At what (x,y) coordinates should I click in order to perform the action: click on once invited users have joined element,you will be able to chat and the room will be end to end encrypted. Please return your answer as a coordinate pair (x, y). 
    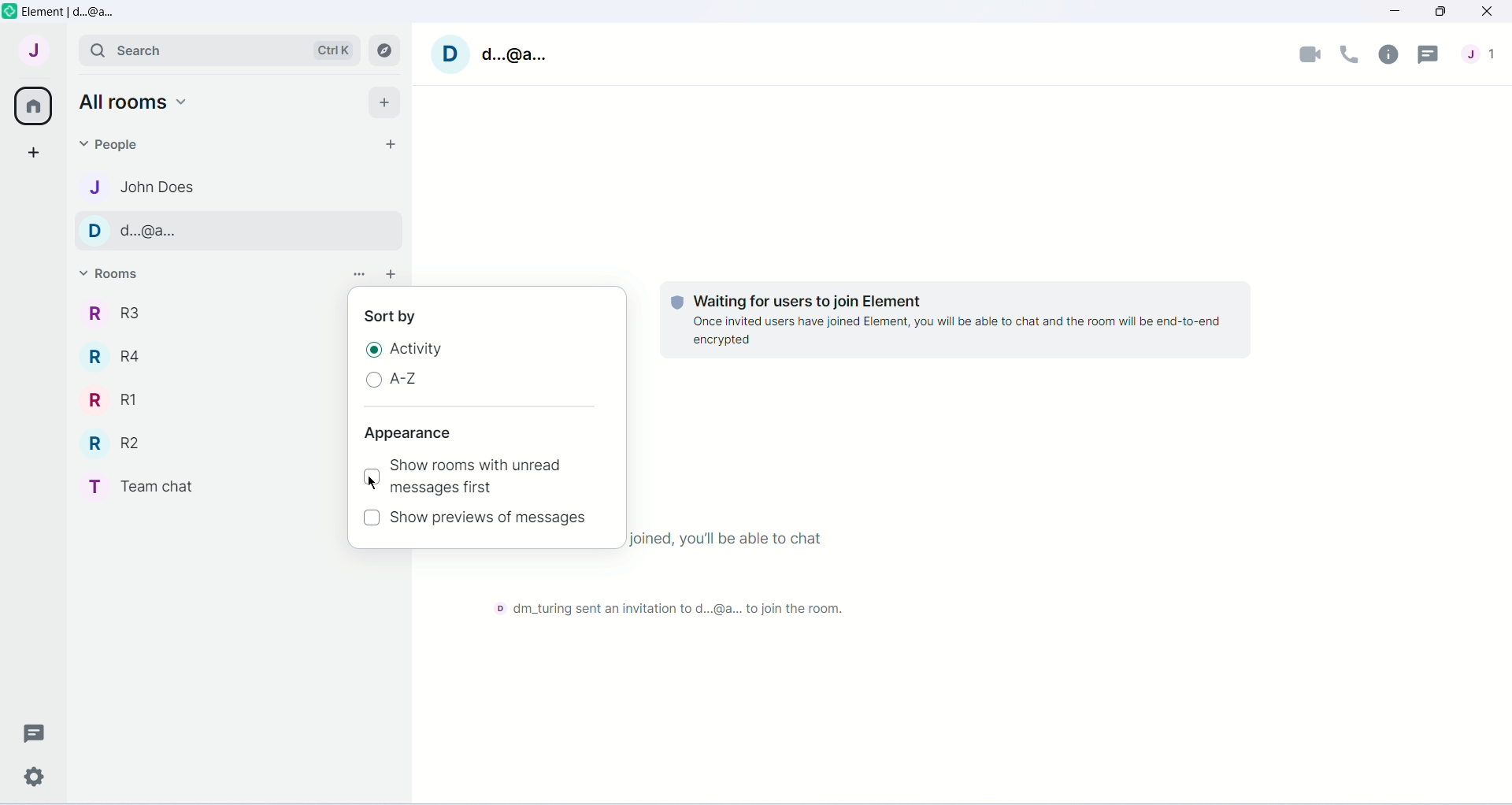
    Looking at the image, I should click on (957, 331).